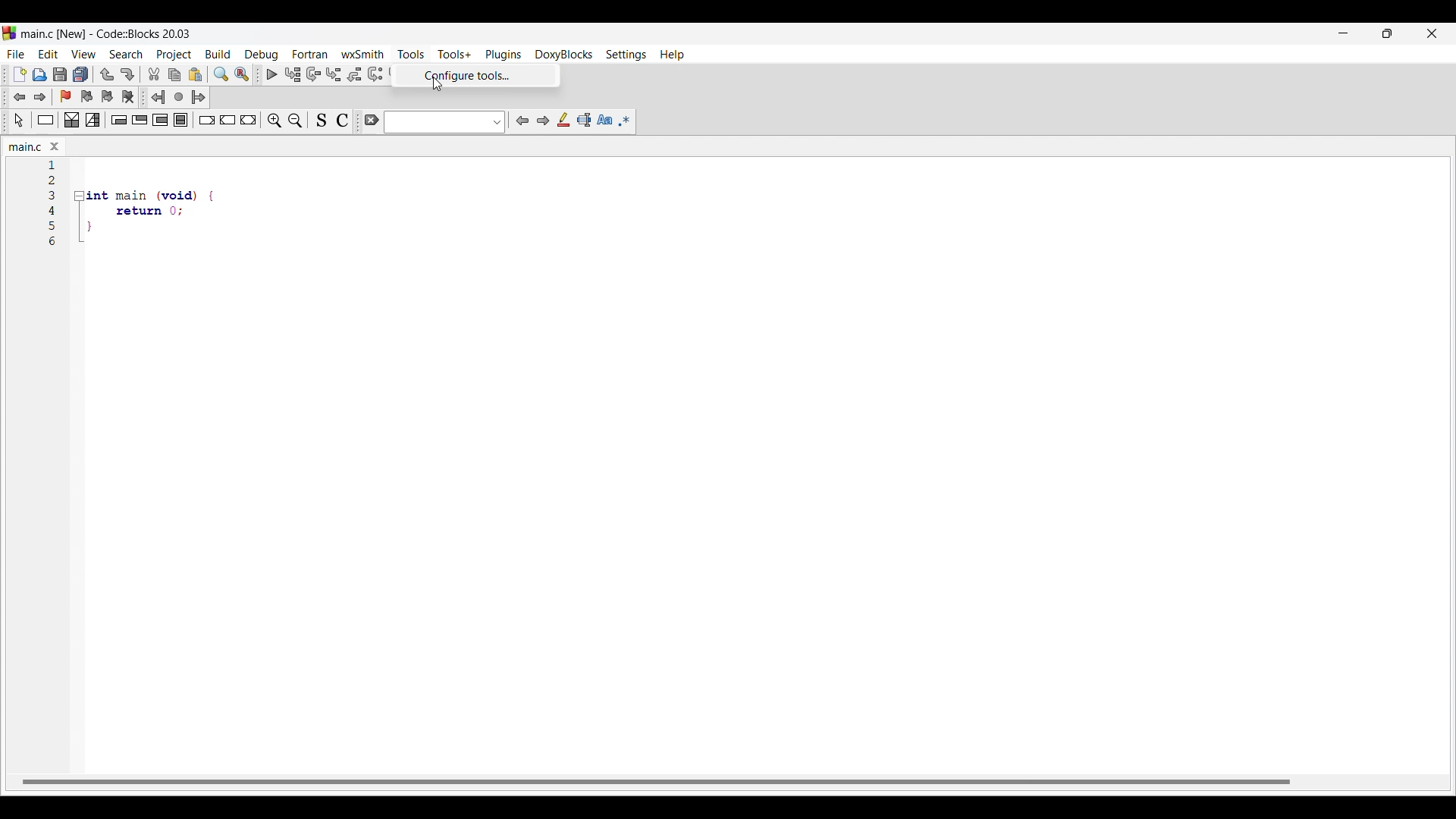 The width and height of the screenshot is (1456, 819). Describe the element at coordinates (310, 55) in the screenshot. I see `Fortran menu` at that location.